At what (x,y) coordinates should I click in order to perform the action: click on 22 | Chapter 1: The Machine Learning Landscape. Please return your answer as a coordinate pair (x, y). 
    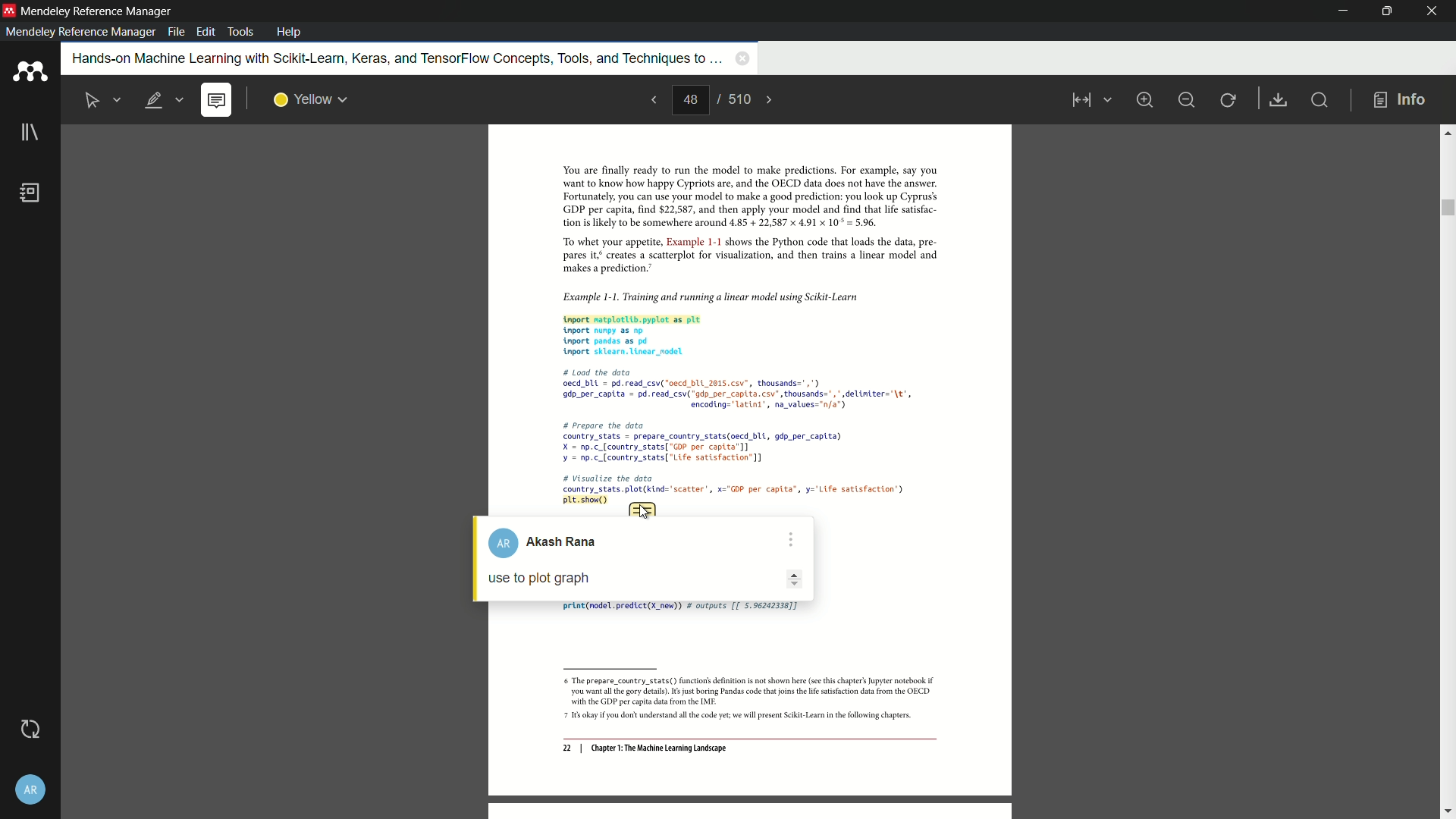
    Looking at the image, I should click on (645, 749).